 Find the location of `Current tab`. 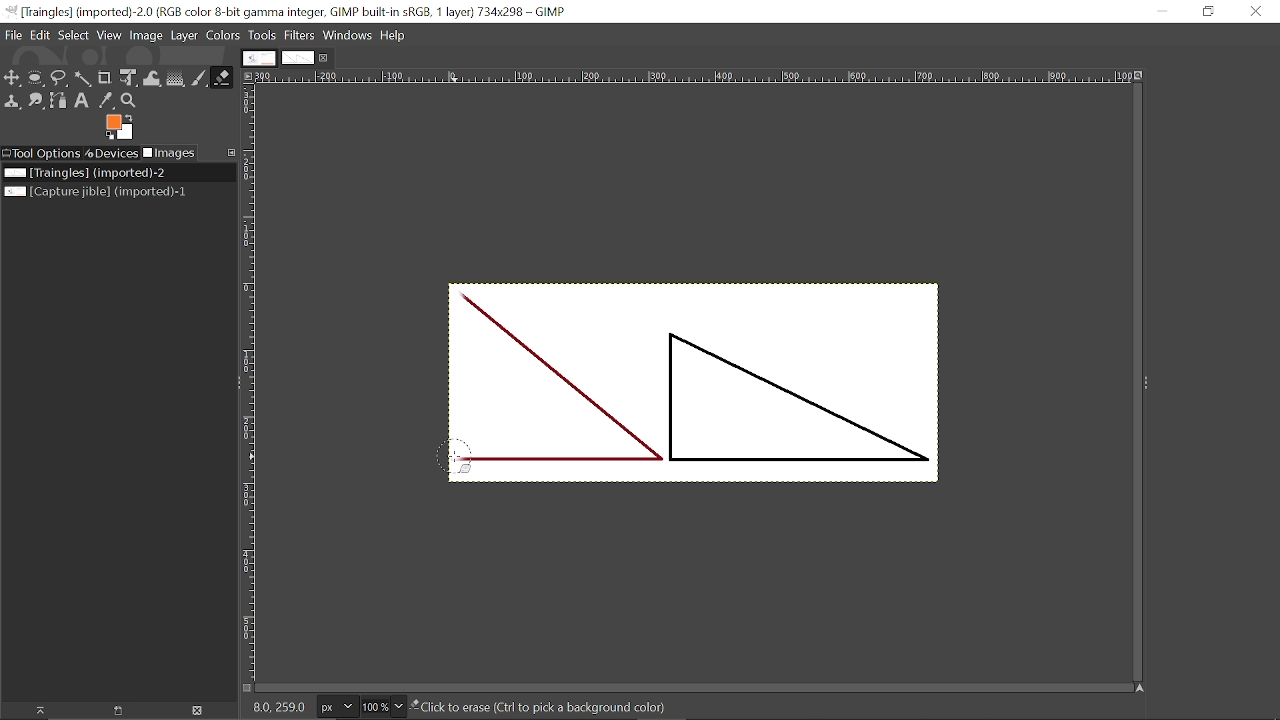

Current tab is located at coordinates (298, 58).